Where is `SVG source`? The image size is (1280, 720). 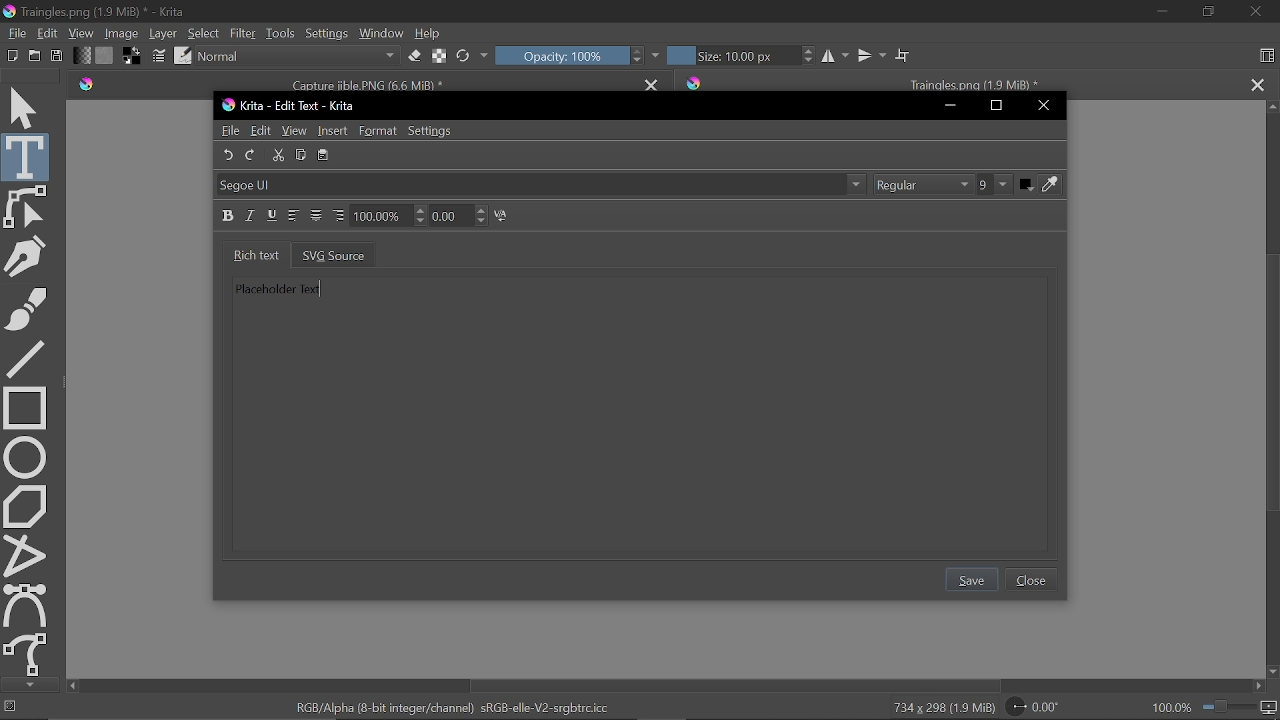 SVG source is located at coordinates (334, 257).